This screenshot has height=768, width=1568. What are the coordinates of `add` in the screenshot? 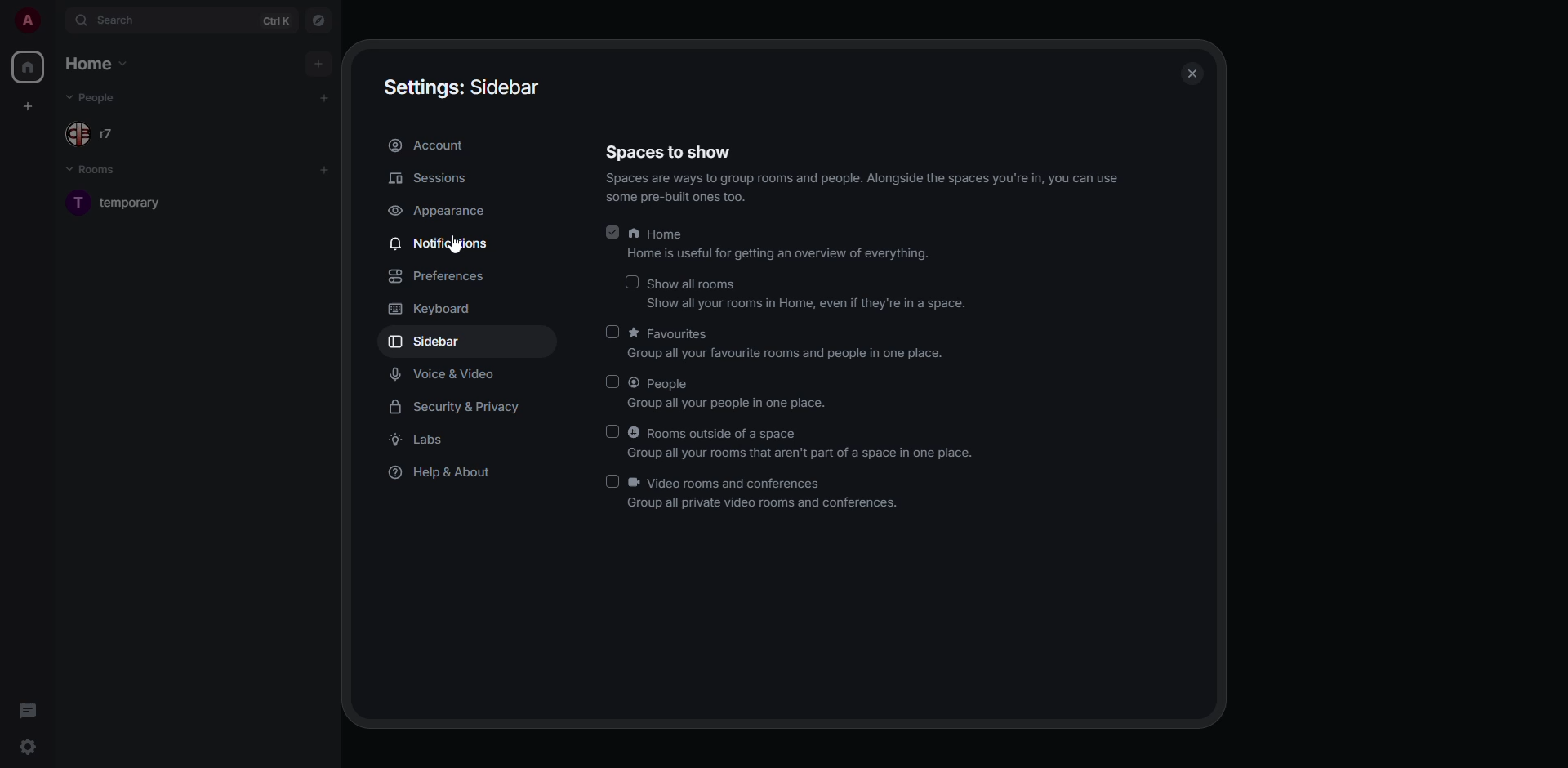 It's located at (317, 64).